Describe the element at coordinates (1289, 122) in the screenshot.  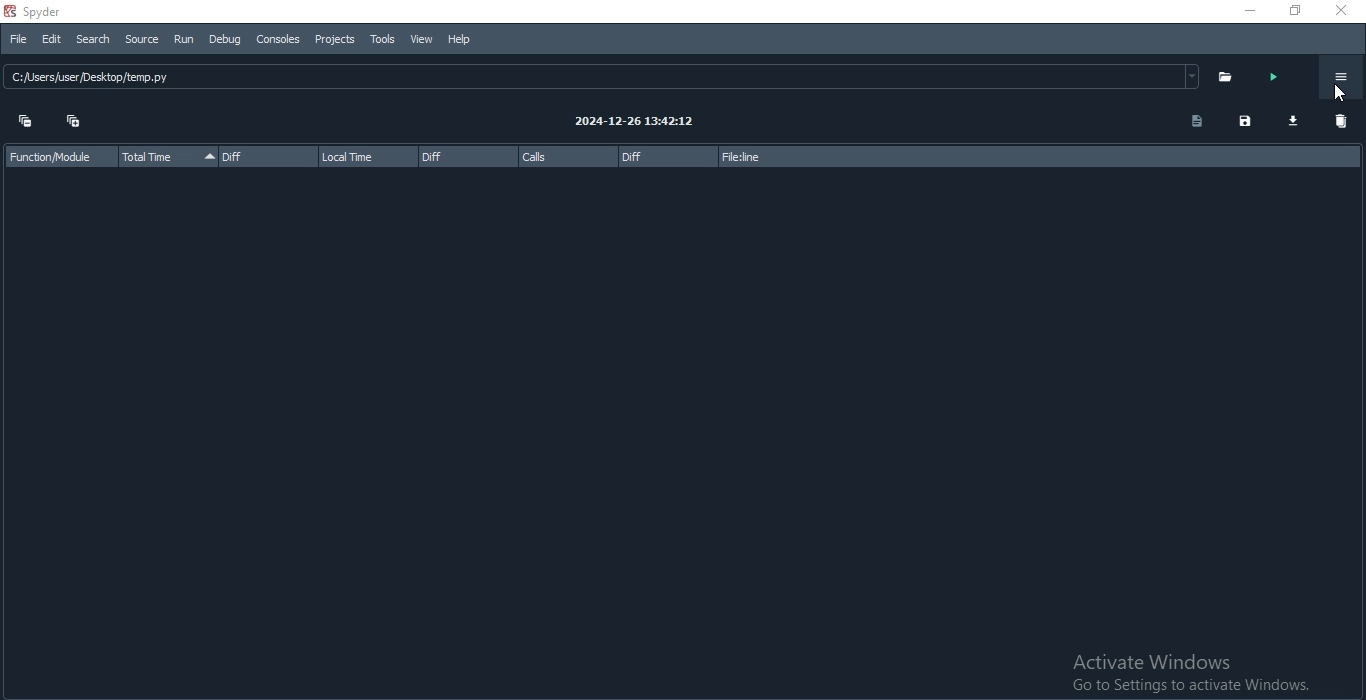
I see `download` at that location.